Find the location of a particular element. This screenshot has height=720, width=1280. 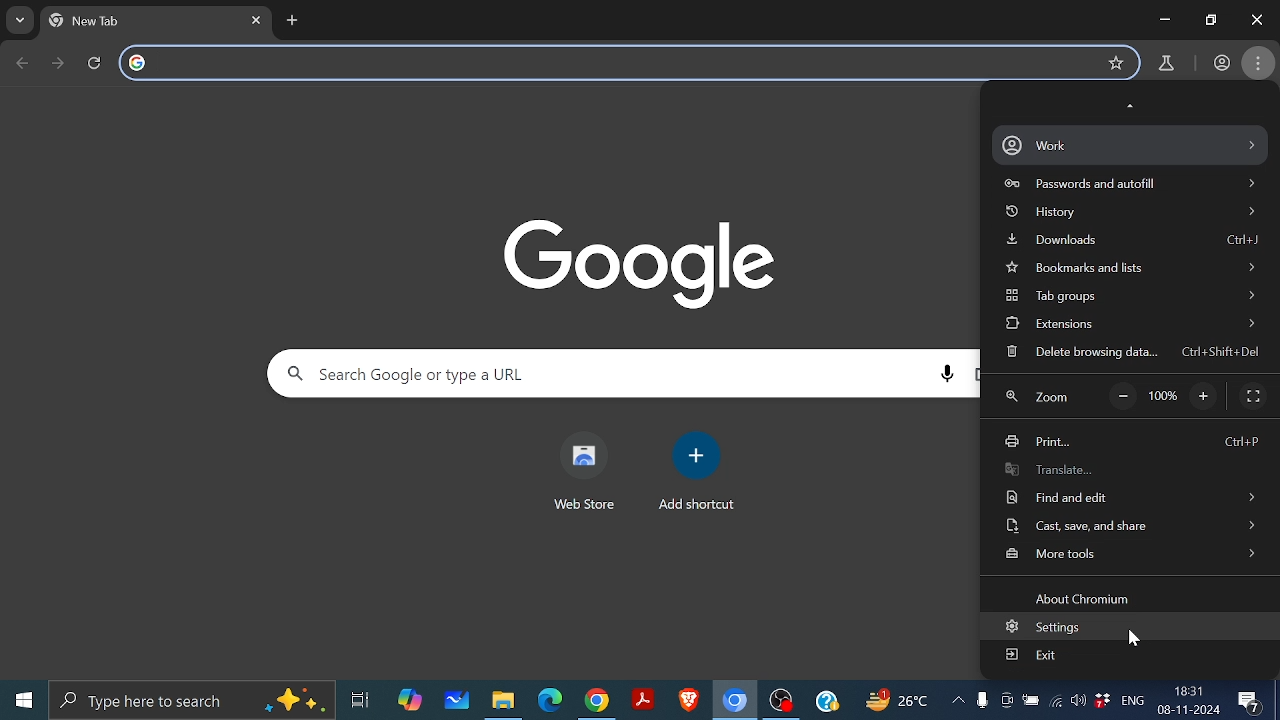

type here to search is located at coordinates (194, 700).